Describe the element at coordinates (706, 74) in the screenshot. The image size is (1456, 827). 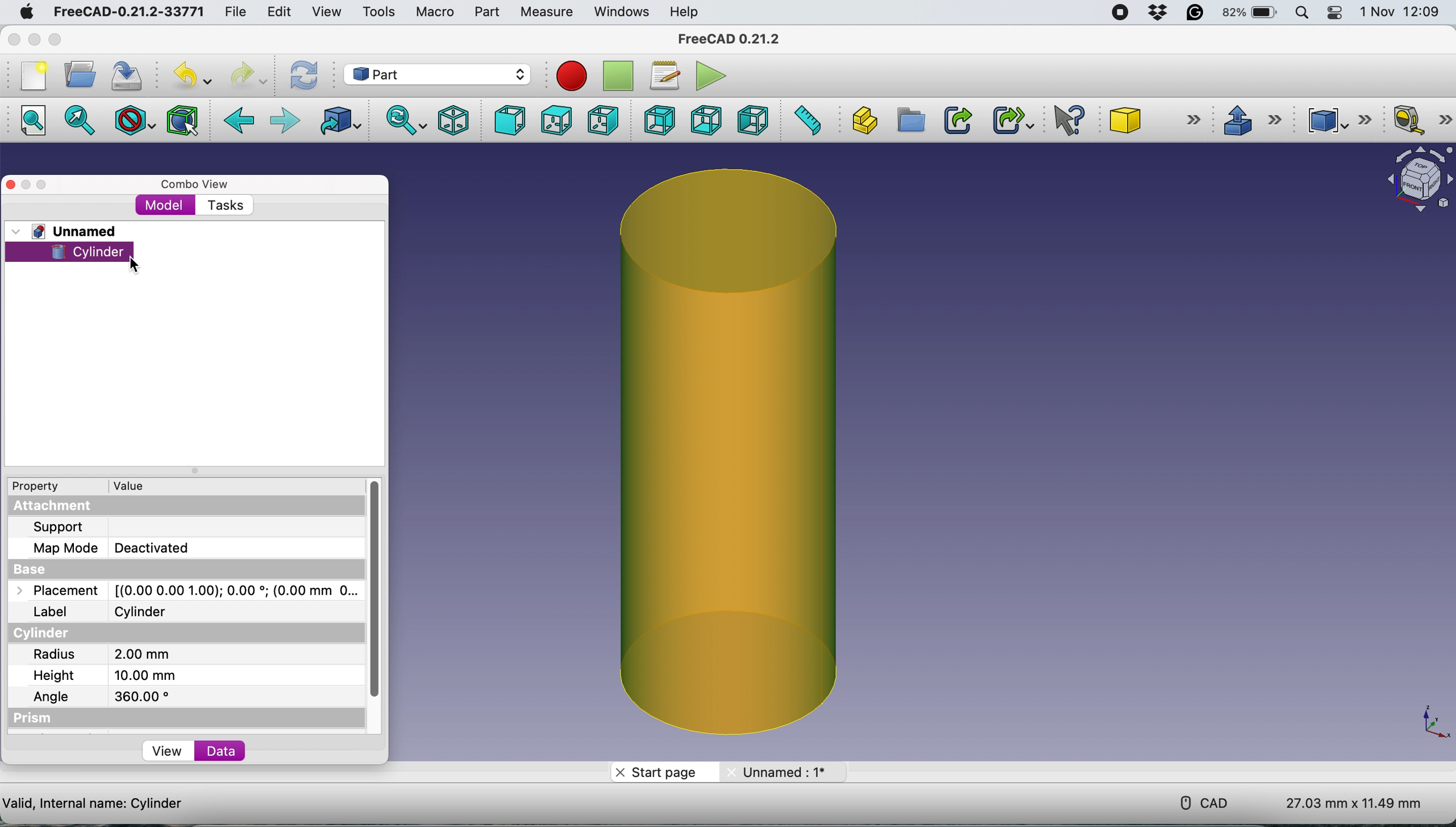
I see `execute macros` at that location.